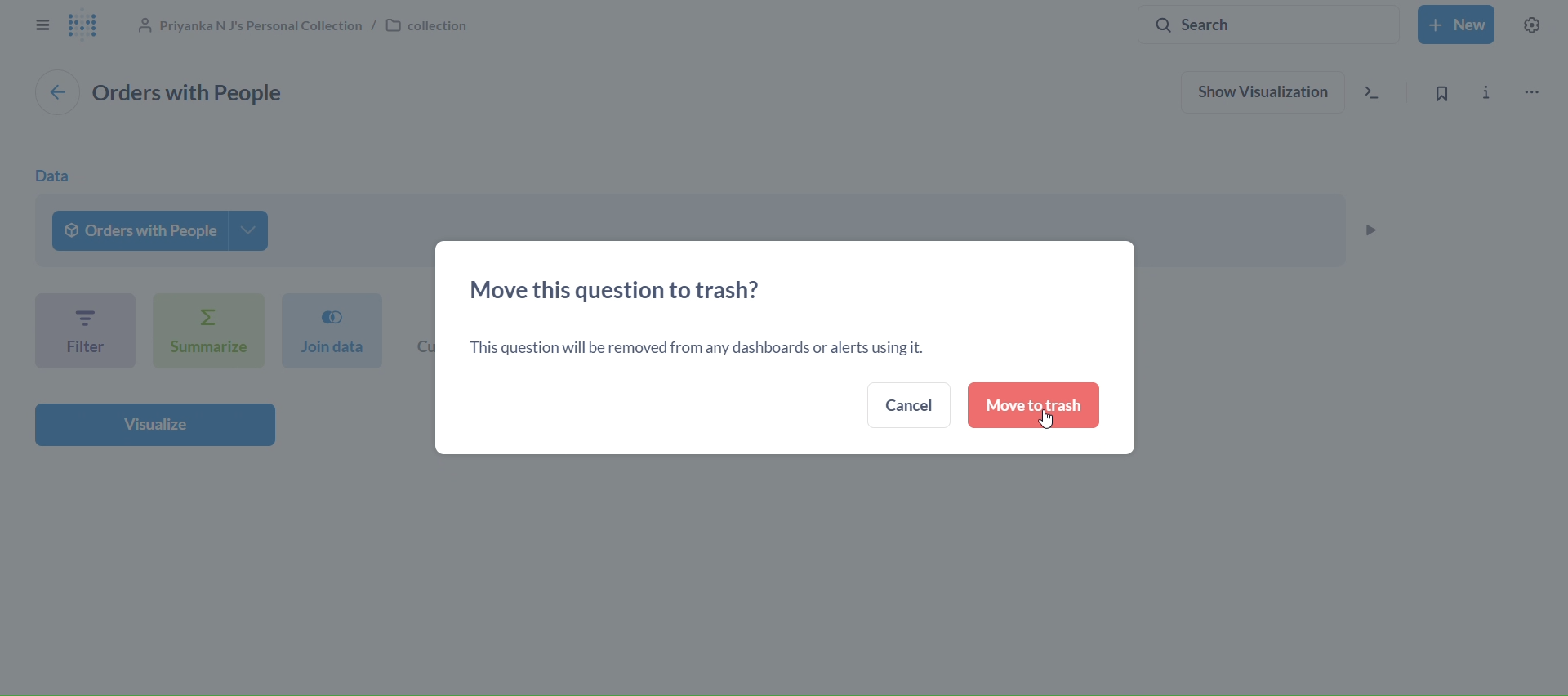 Image resolution: width=1568 pixels, height=696 pixels. What do you see at coordinates (1049, 423) in the screenshot?
I see `Cursor` at bounding box center [1049, 423].